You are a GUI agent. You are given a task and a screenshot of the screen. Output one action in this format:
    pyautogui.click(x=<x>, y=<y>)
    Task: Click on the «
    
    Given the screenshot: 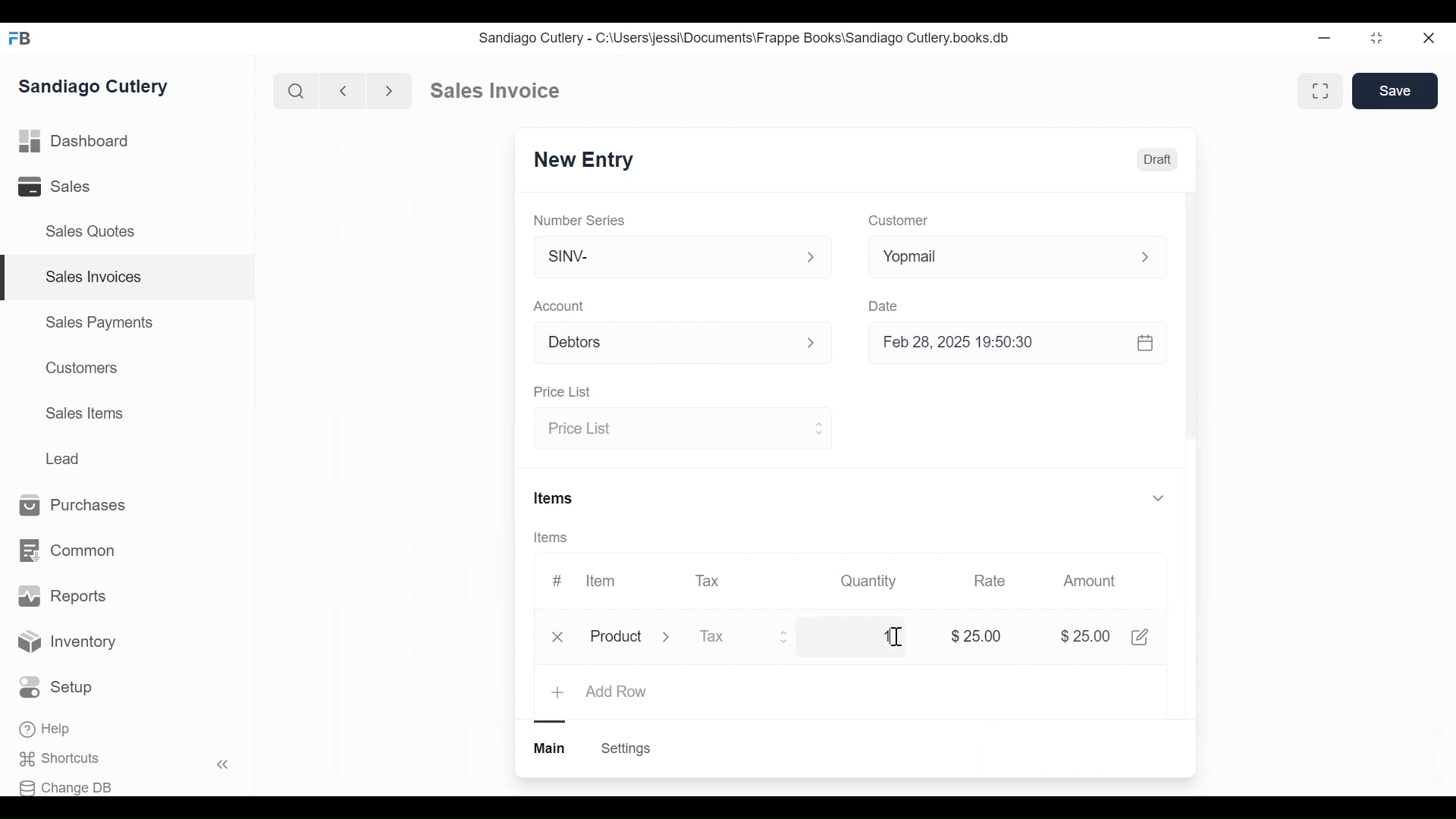 What is the action you would take?
    pyautogui.click(x=223, y=767)
    